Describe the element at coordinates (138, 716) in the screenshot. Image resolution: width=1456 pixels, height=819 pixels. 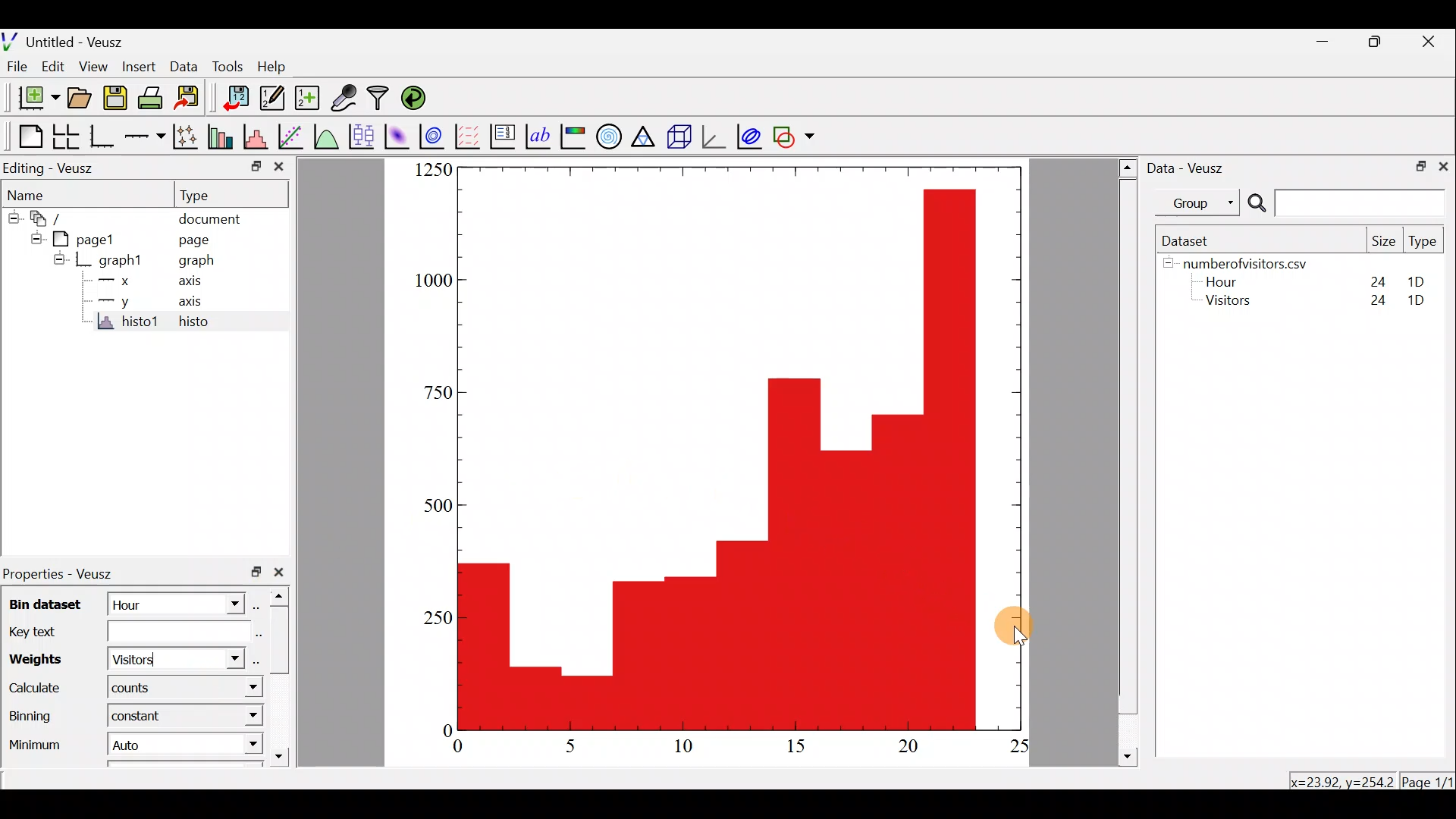
I see `constant` at that location.